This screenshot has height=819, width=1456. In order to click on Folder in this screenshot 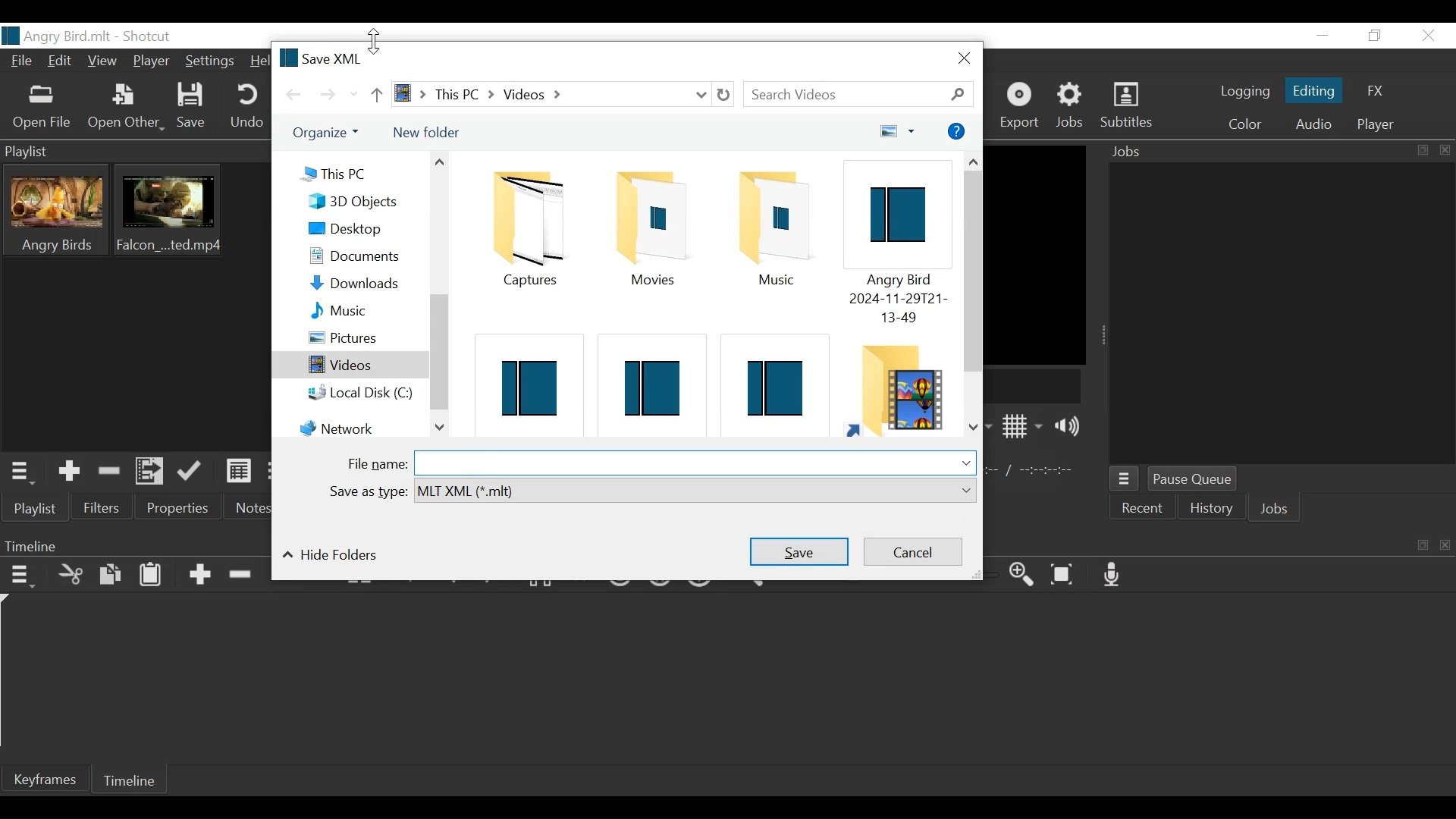, I will do `click(648, 228)`.